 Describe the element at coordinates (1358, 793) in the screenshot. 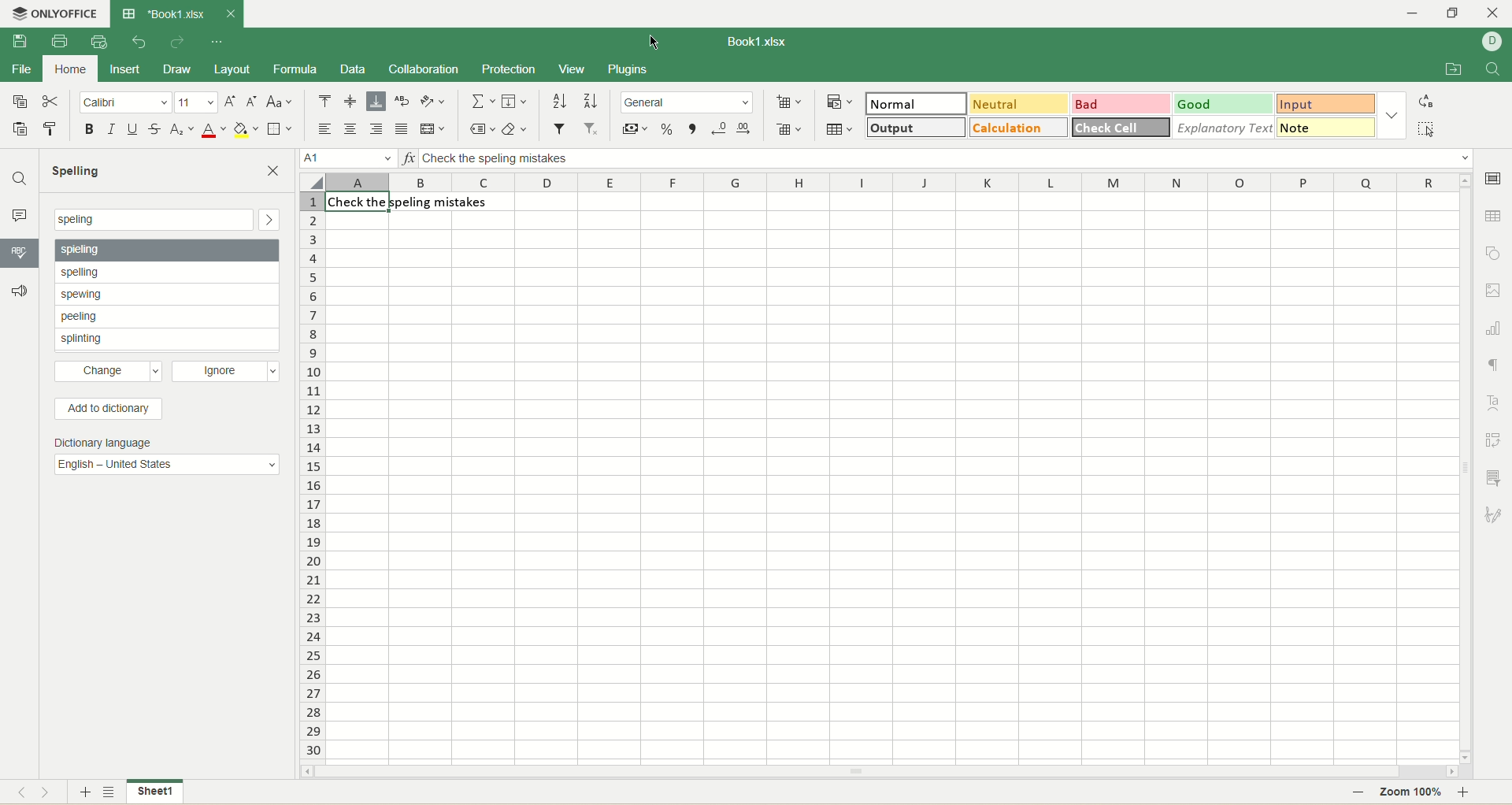

I see `zoom out` at that location.